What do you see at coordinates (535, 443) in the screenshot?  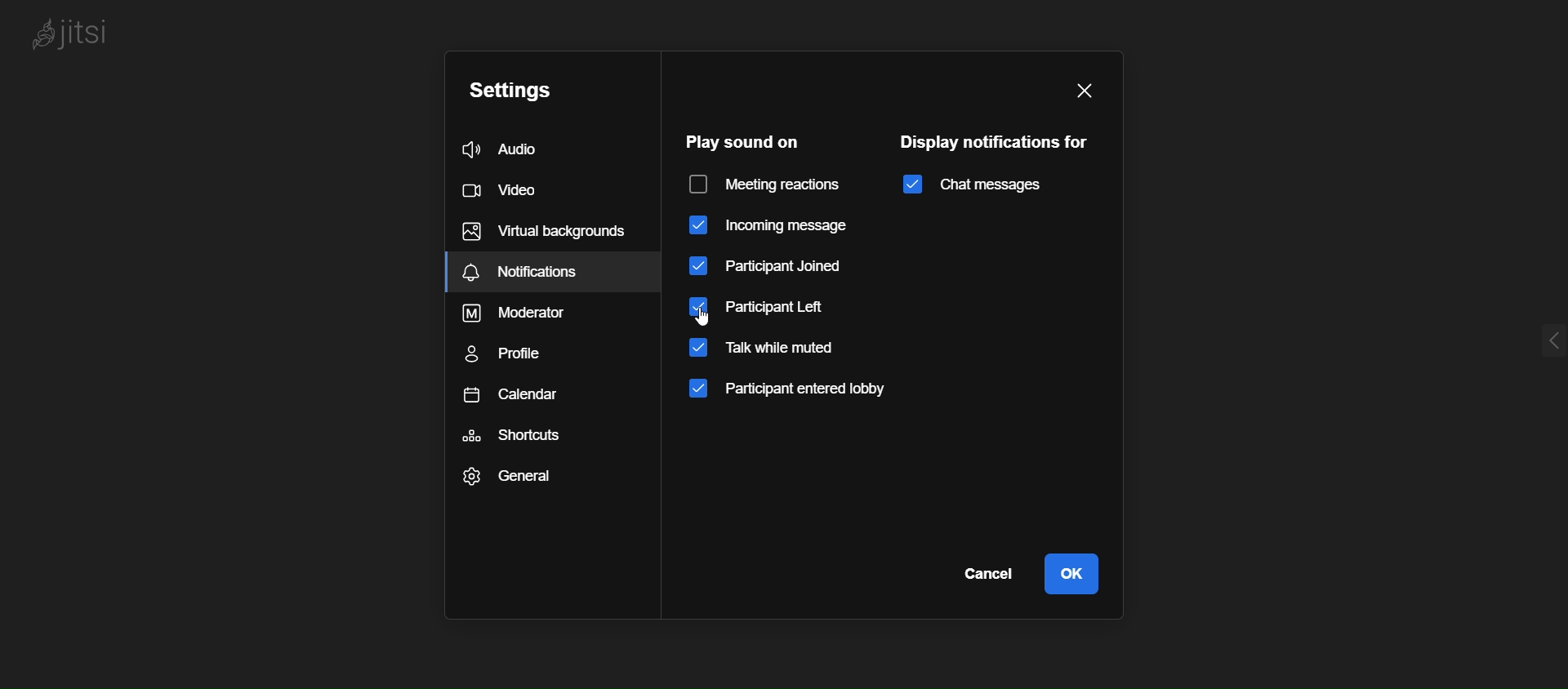 I see `shortcuts` at bounding box center [535, 443].